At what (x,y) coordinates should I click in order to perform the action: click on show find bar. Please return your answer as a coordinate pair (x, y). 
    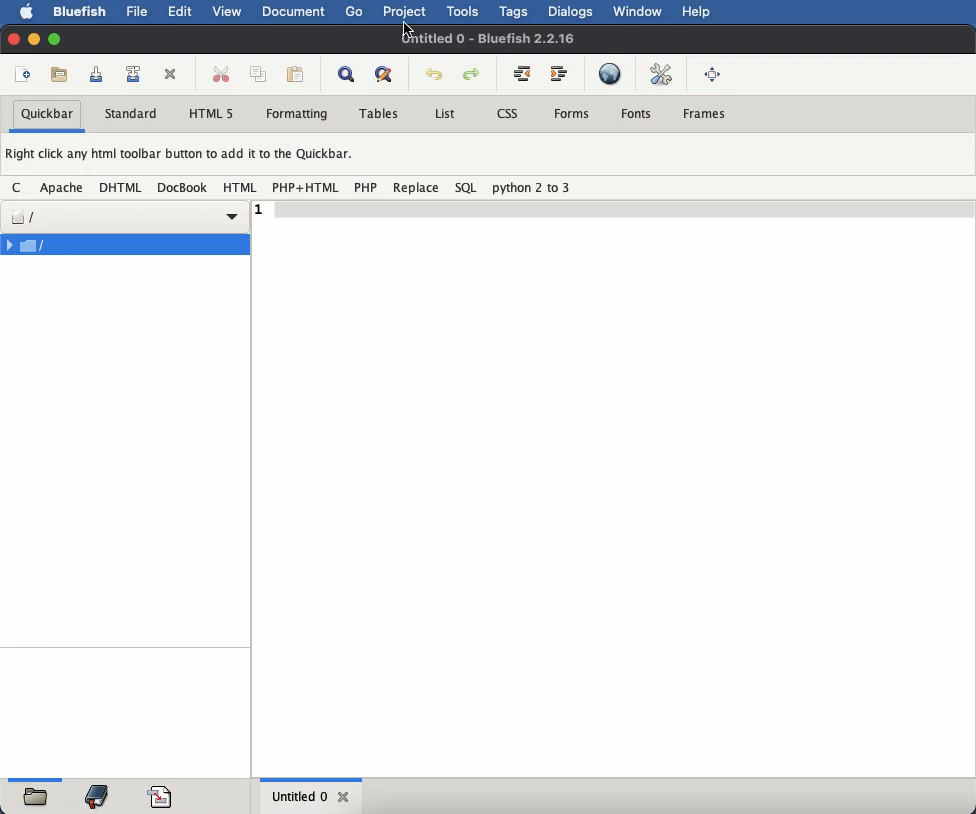
    Looking at the image, I should click on (347, 76).